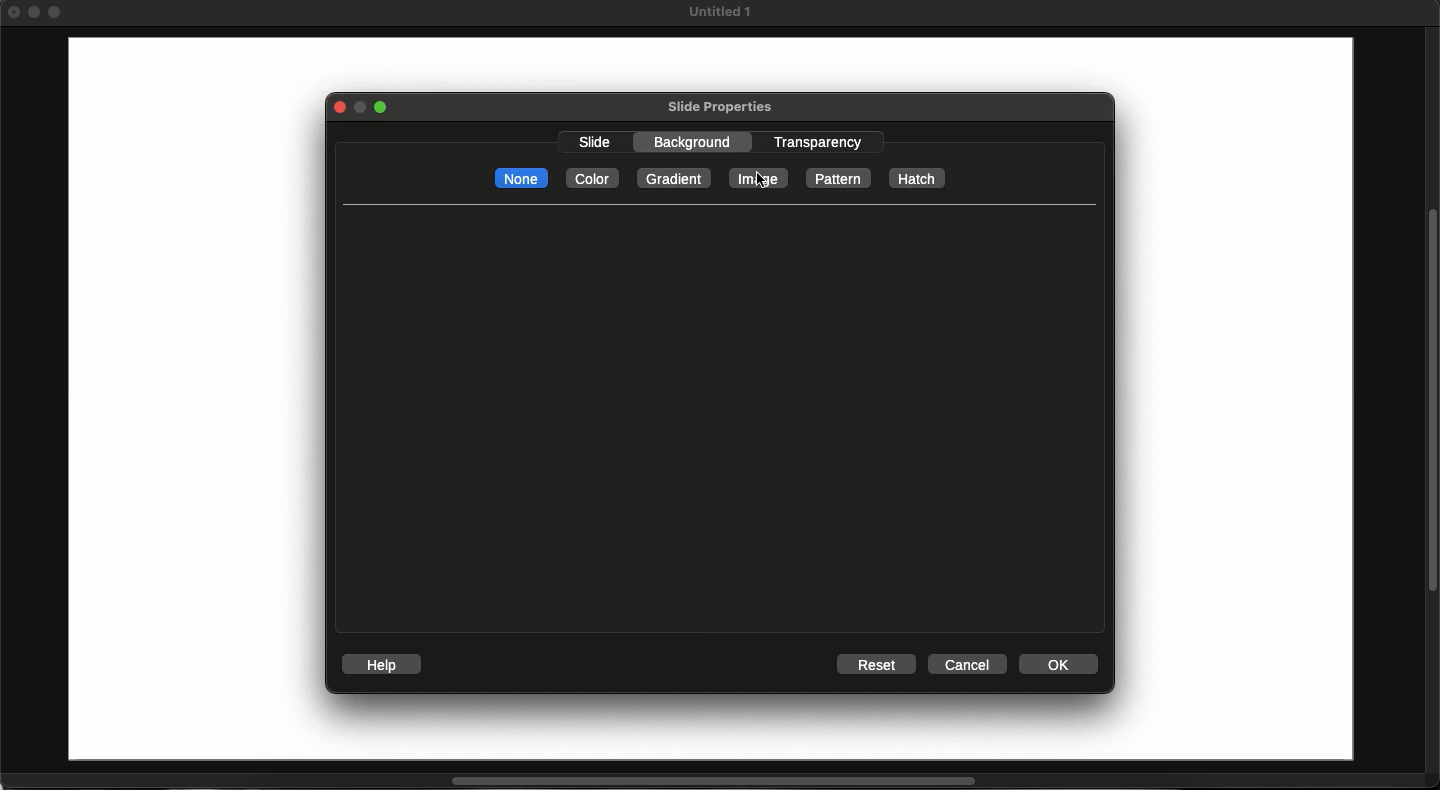 The height and width of the screenshot is (790, 1440). What do you see at coordinates (969, 664) in the screenshot?
I see `Cancel` at bounding box center [969, 664].